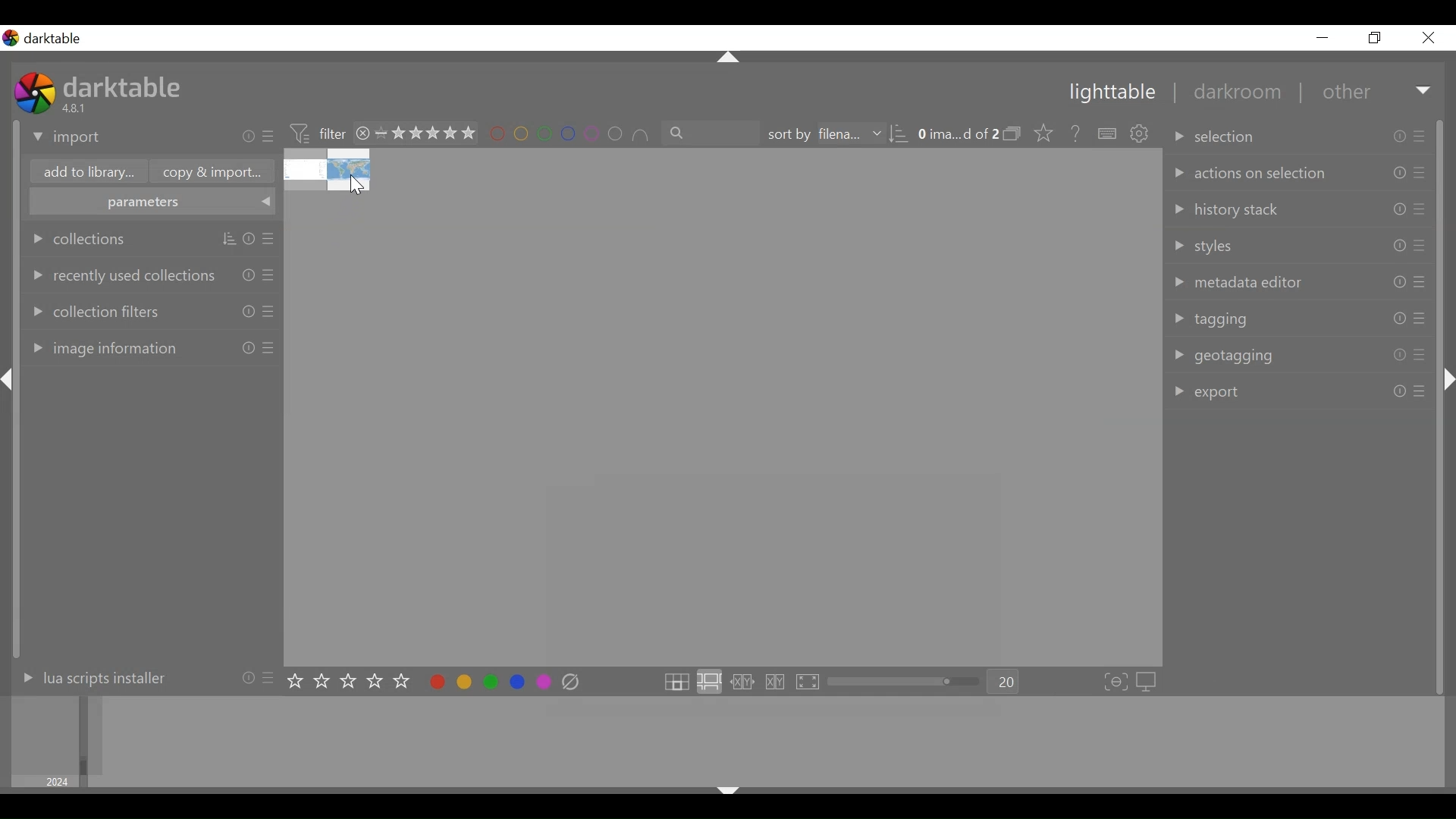  What do you see at coordinates (271, 238) in the screenshot?
I see `` at bounding box center [271, 238].